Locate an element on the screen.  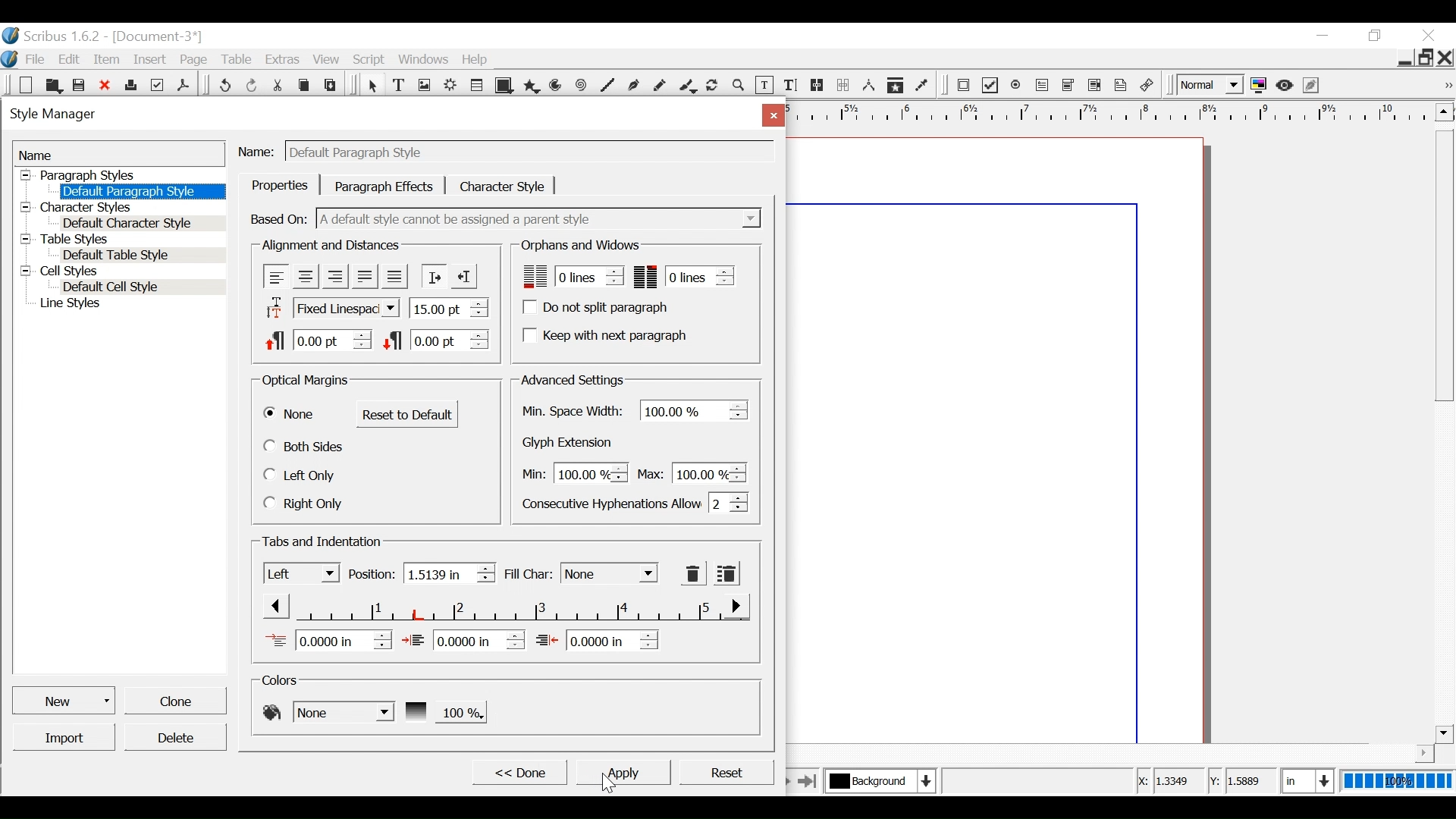
Push indent Right is located at coordinates (433, 276).